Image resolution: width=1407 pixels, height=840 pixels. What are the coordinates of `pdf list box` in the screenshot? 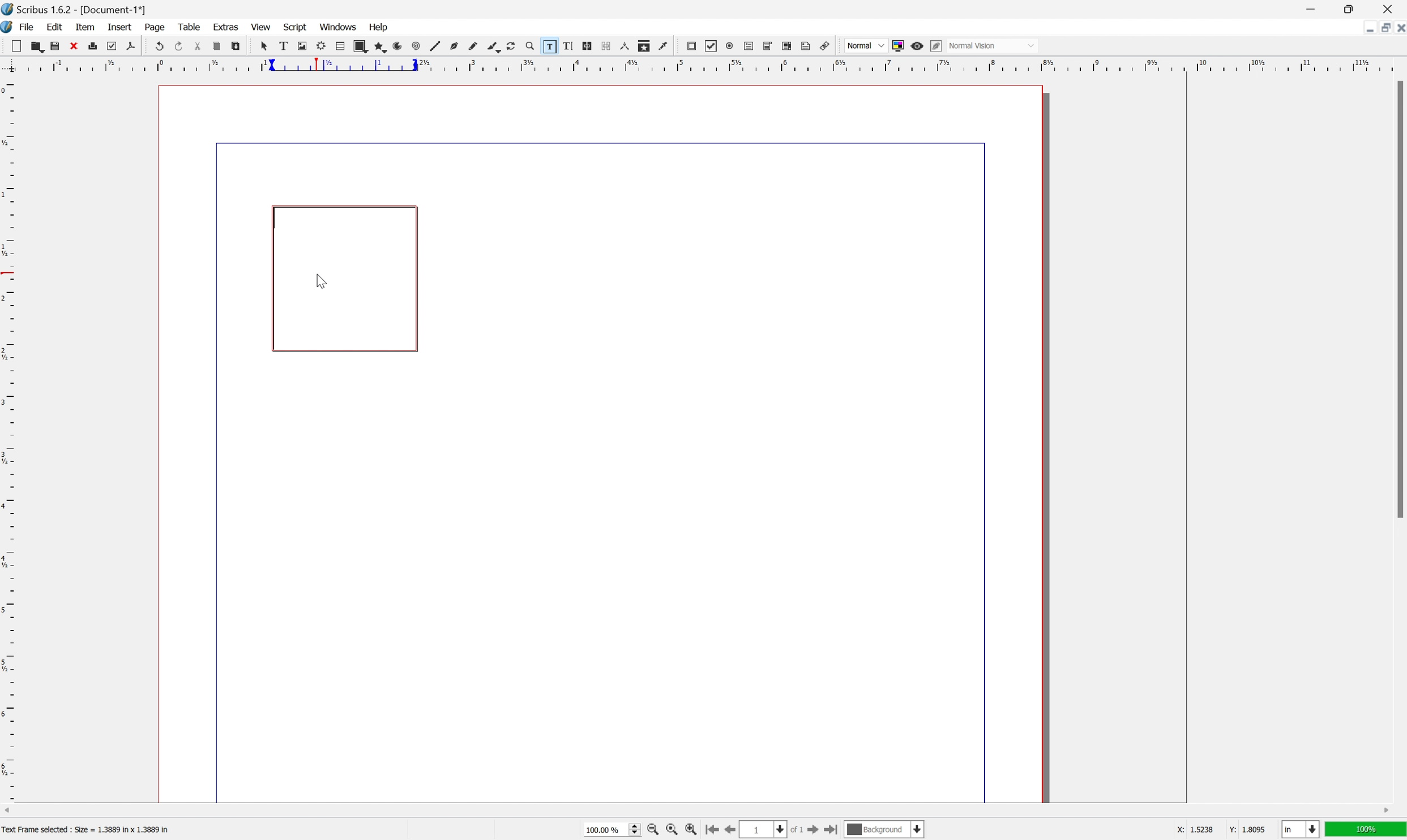 It's located at (786, 45).